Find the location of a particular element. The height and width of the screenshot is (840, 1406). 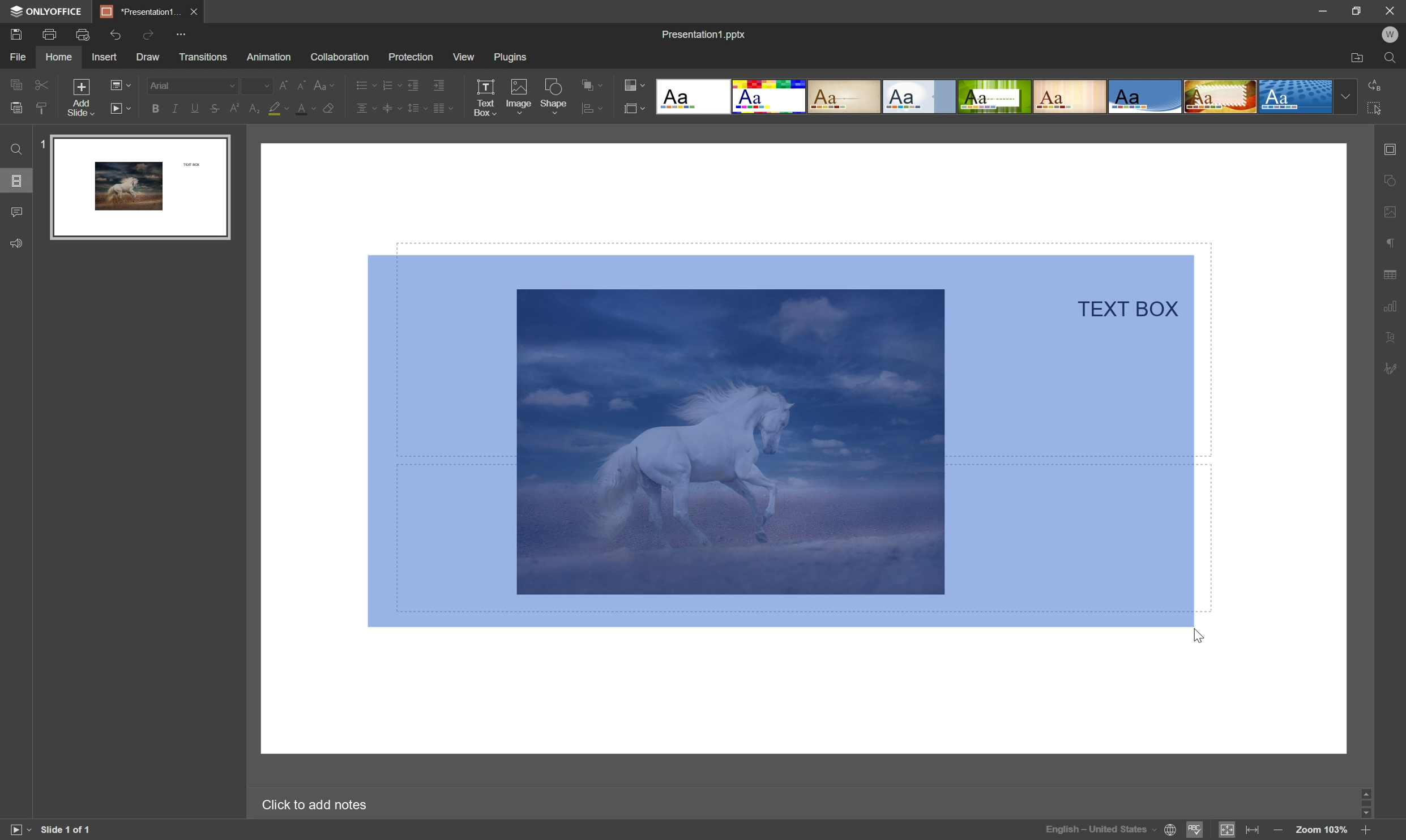

file is located at coordinates (15, 57).